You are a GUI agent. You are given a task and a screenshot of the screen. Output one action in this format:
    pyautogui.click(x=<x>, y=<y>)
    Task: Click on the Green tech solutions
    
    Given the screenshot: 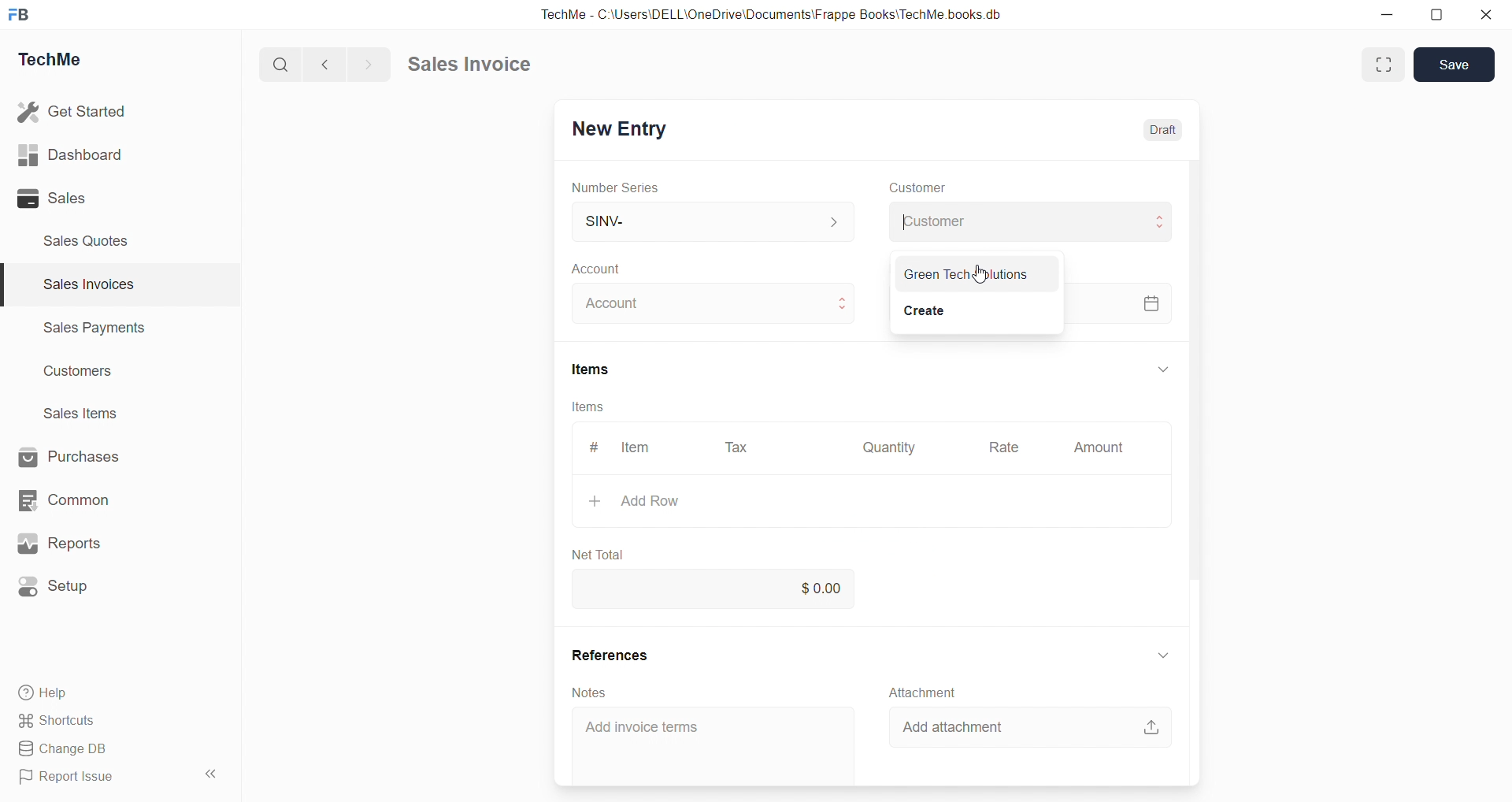 What is the action you would take?
    pyautogui.click(x=966, y=274)
    